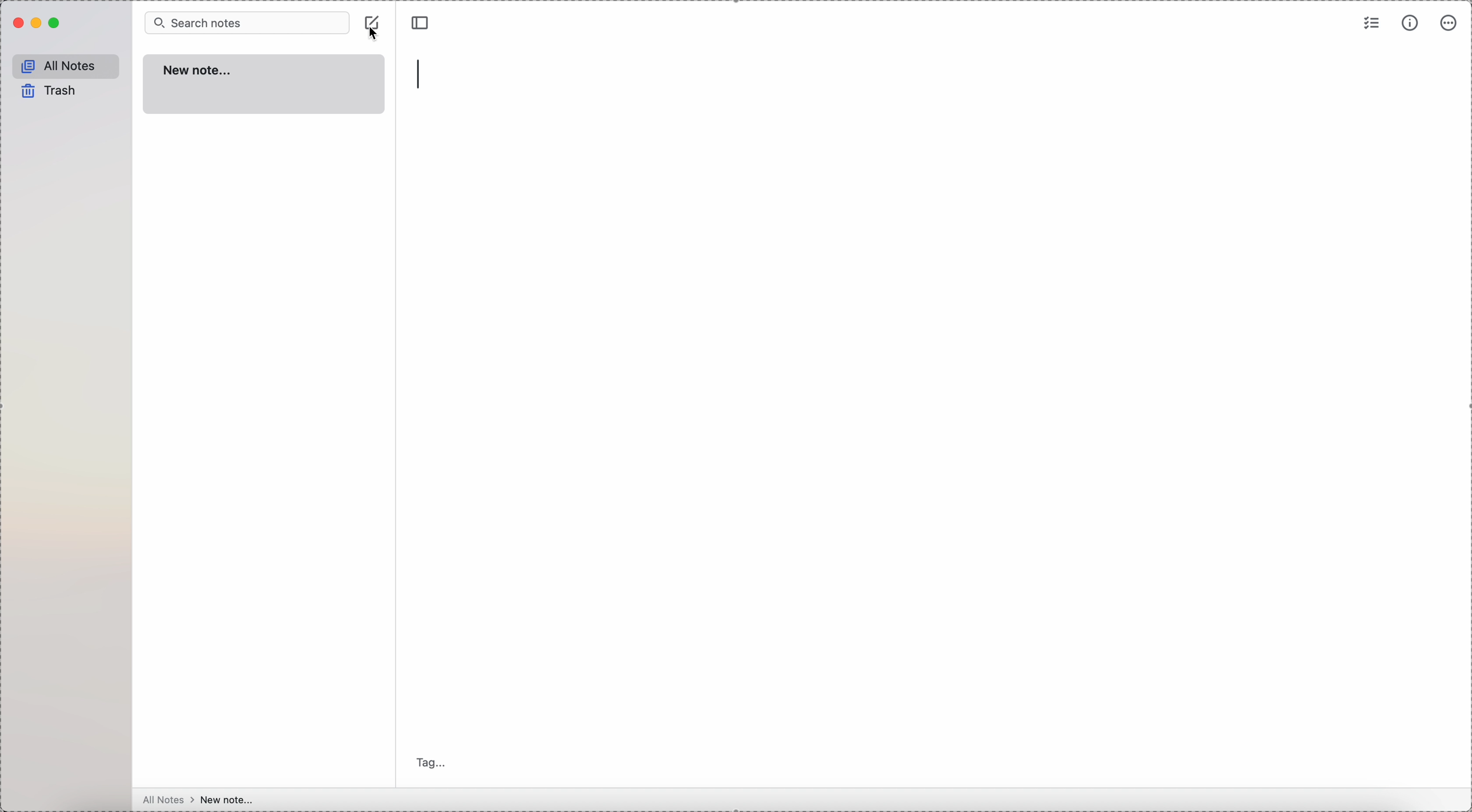 Image resolution: width=1472 pixels, height=812 pixels. I want to click on new note, so click(265, 83).